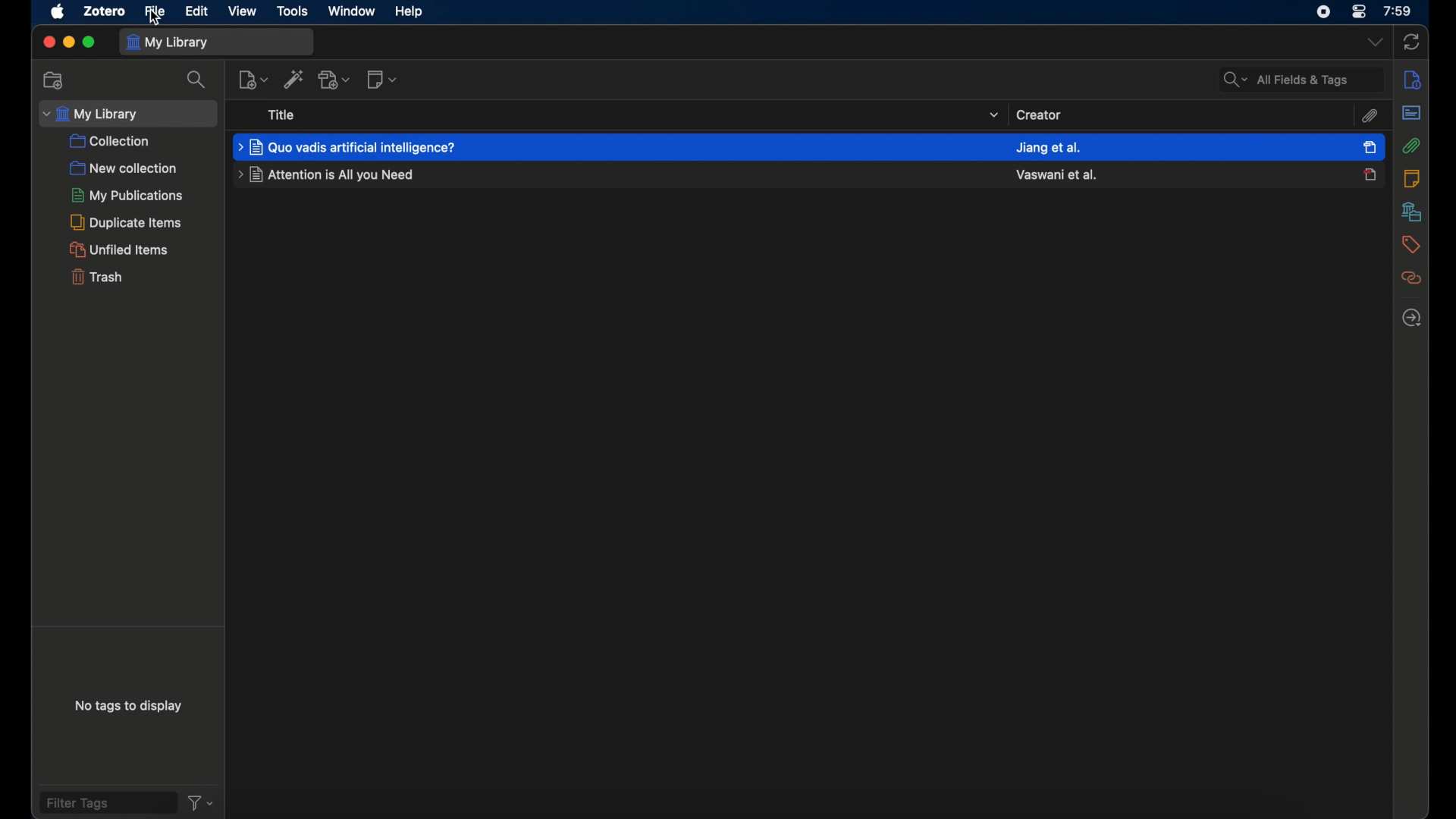 The height and width of the screenshot is (819, 1456). Describe the element at coordinates (1410, 245) in the screenshot. I see `tags` at that location.